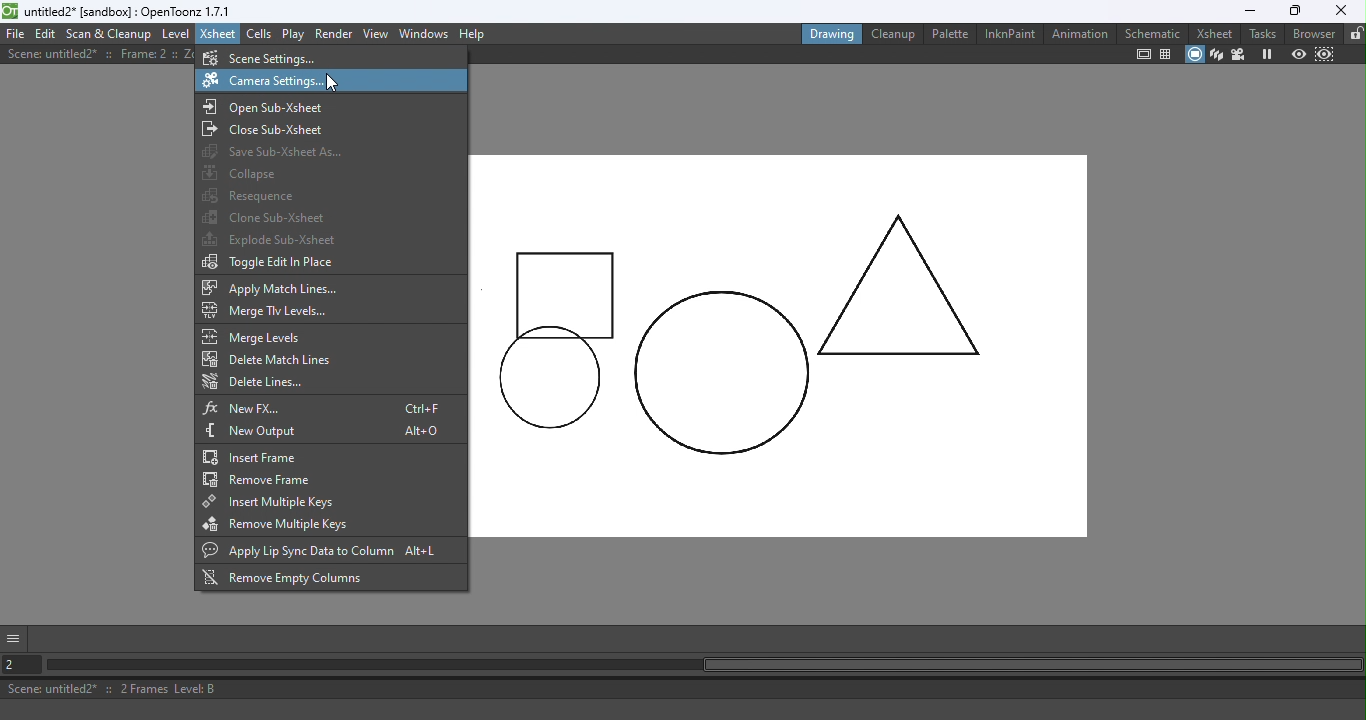 This screenshot has height=720, width=1366. What do you see at coordinates (1011, 34) in the screenshot?
I see `InknPaint` at bounding box center [1011, 34].